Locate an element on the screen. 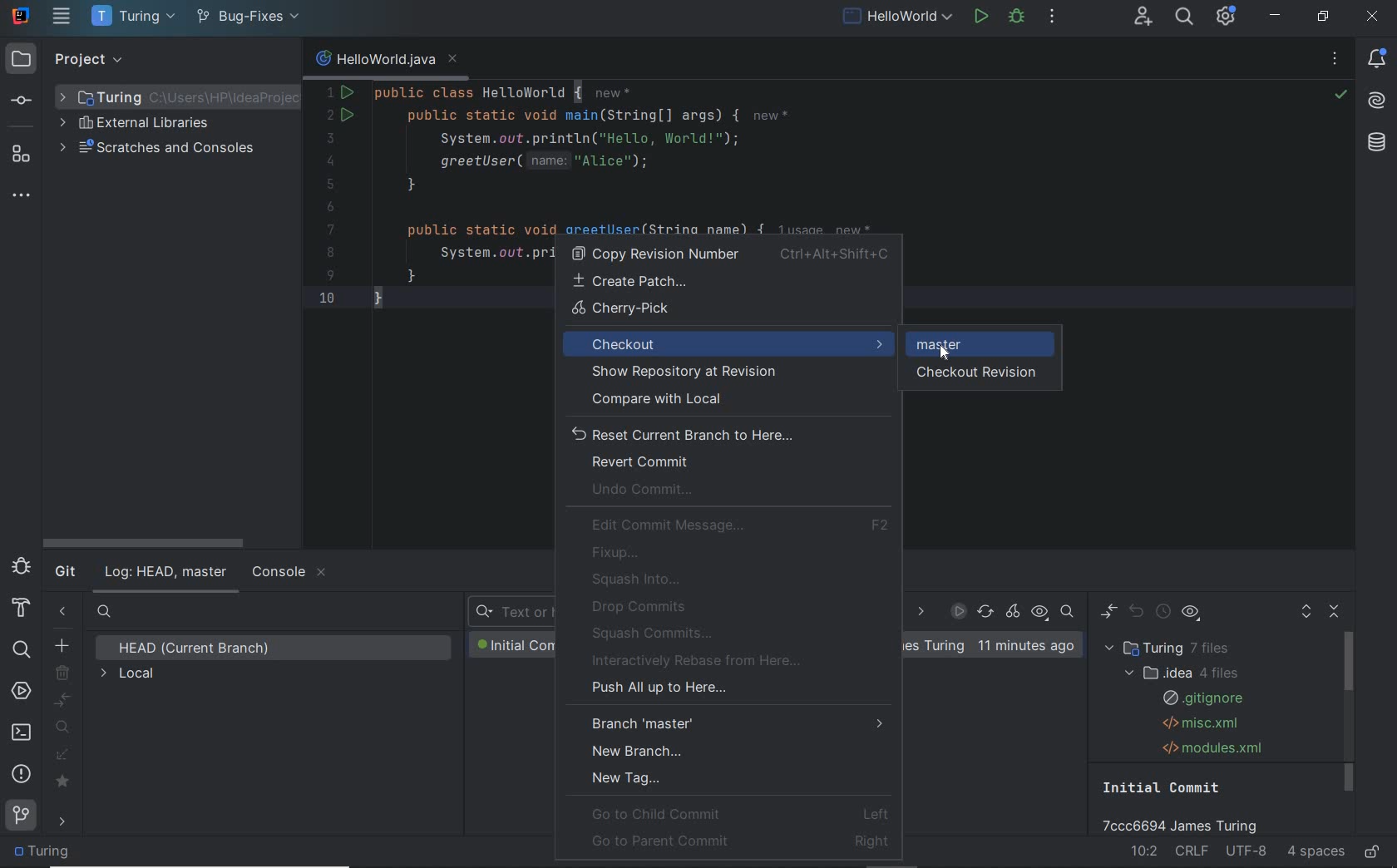 This screenshot has height=868, width=1397. show diff is located at coordinates (1108, 612).